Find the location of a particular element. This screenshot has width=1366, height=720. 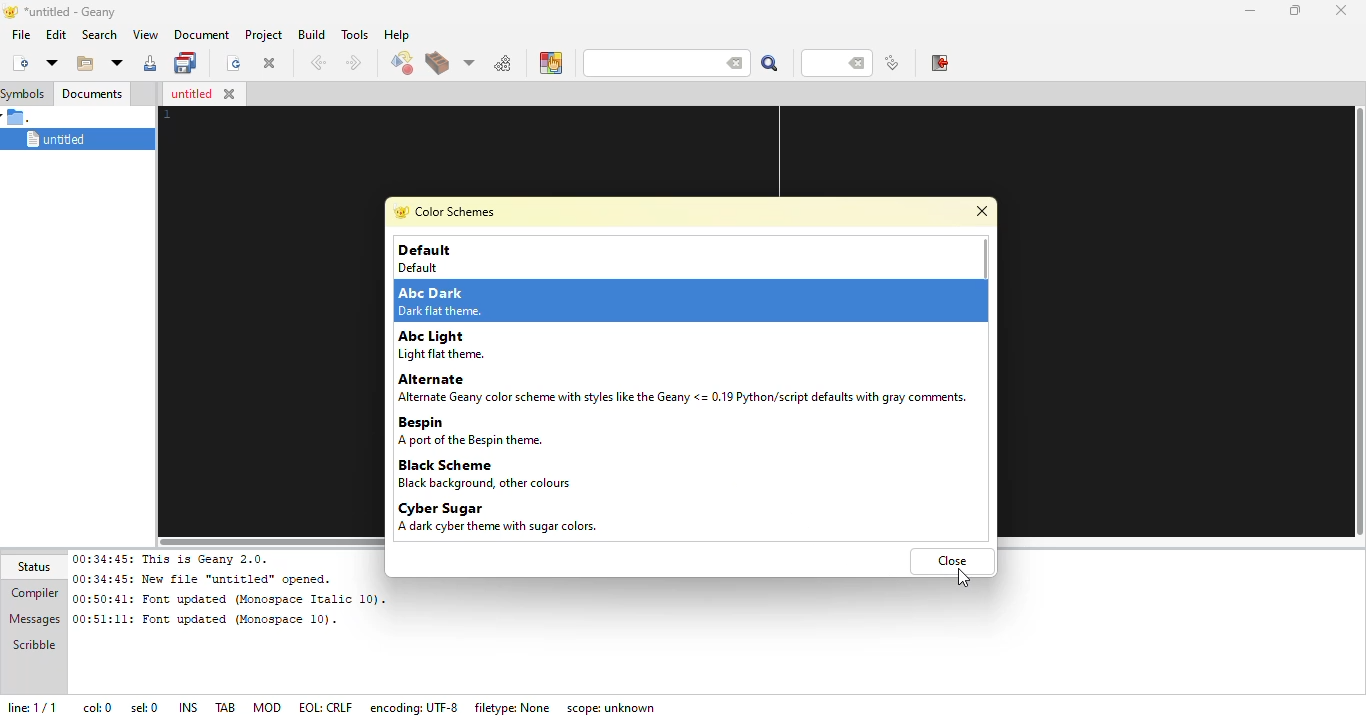

Alternate Alterate Geany color scheme with styles like the Geany <= 0.19 Python/script defaults with gray comments. is located at coordinates (687, 389).